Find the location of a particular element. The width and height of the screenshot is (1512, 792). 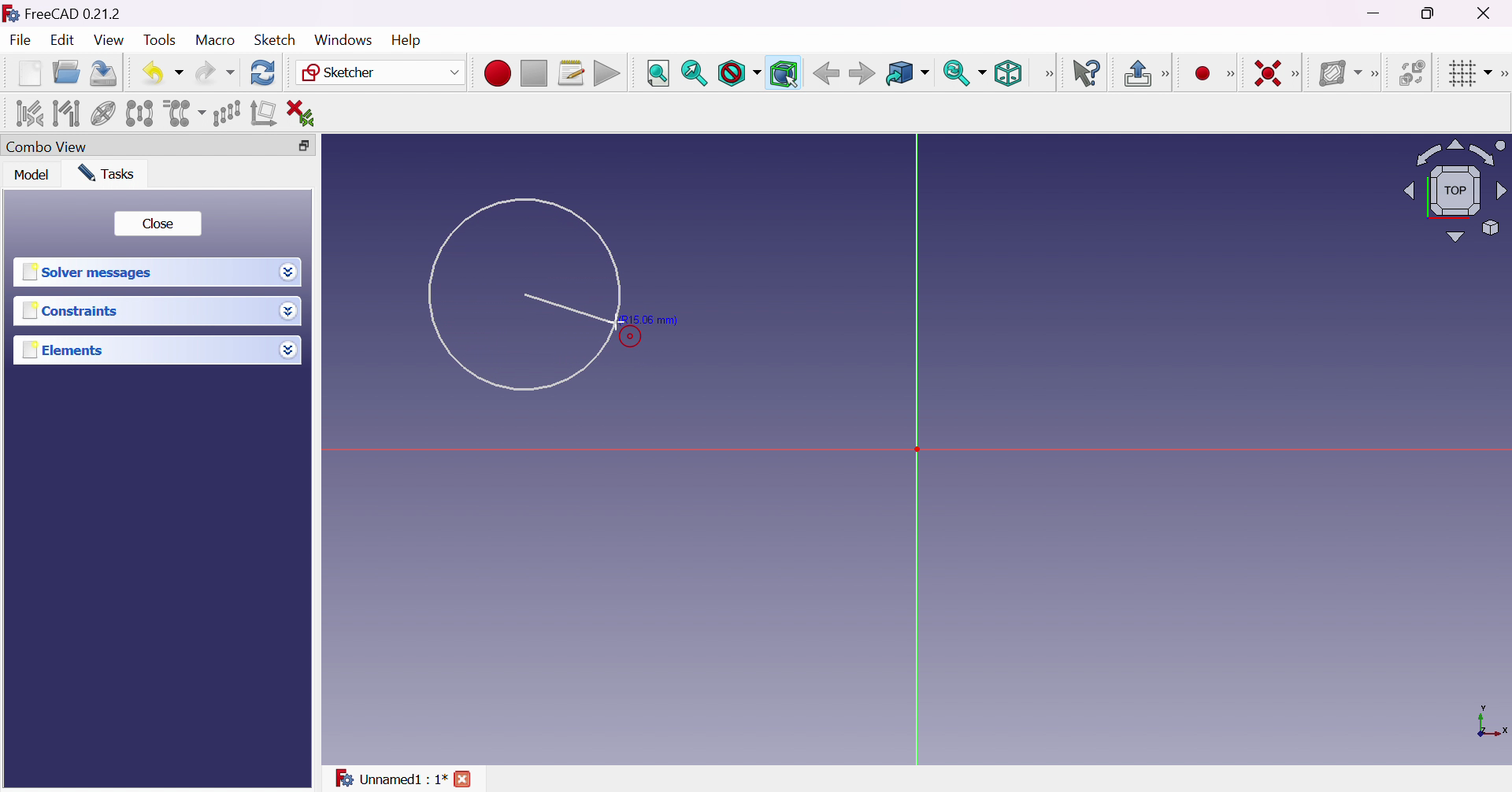

Save is located at coordinates (101, 72).